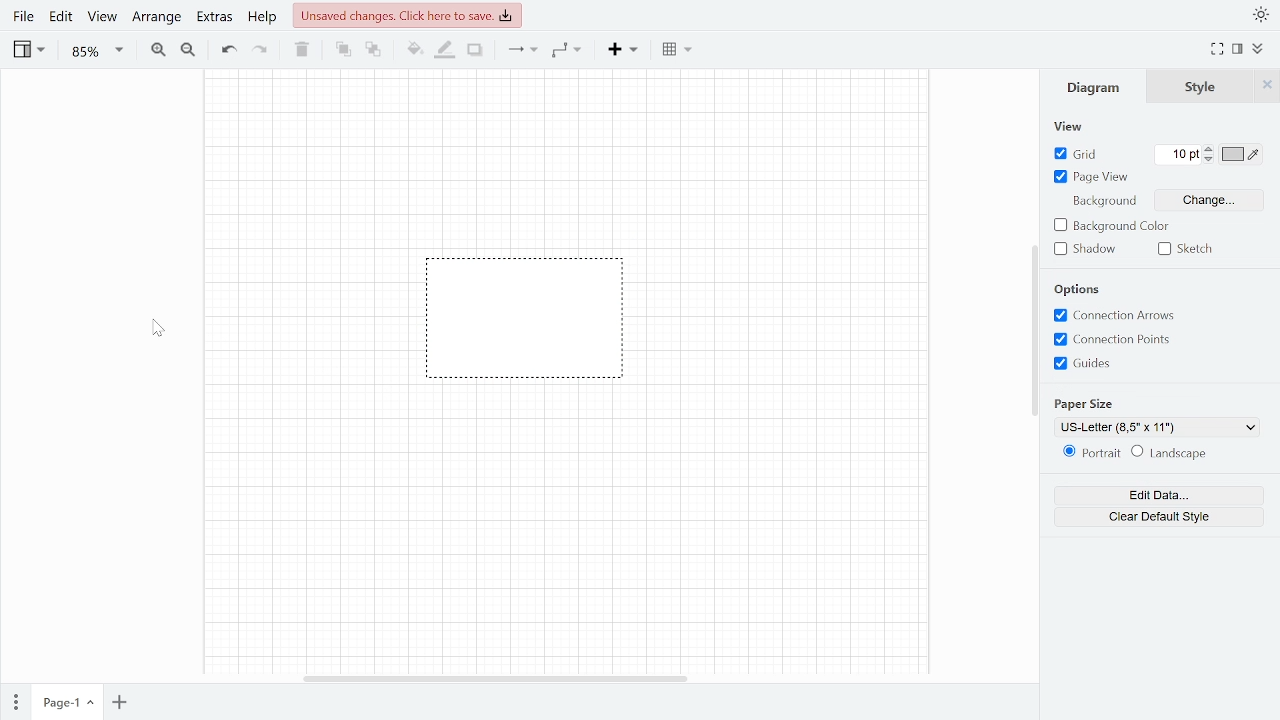 This screenshot has height=720, width=1280. I want to click on Redo, so click(261, 50).